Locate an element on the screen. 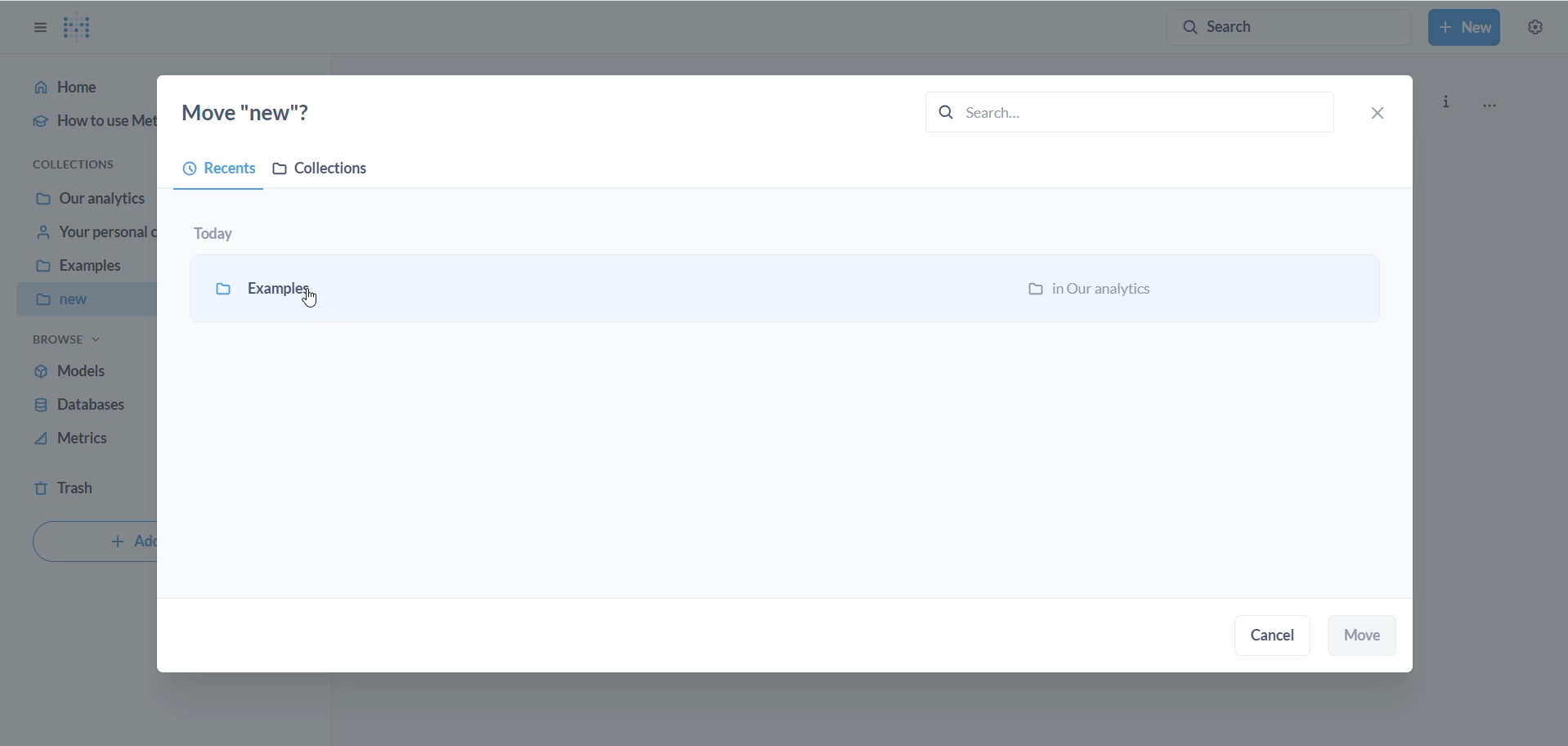 This screenshot has height=746, width=1568. RECENTS is located at coordinates (213, 172).